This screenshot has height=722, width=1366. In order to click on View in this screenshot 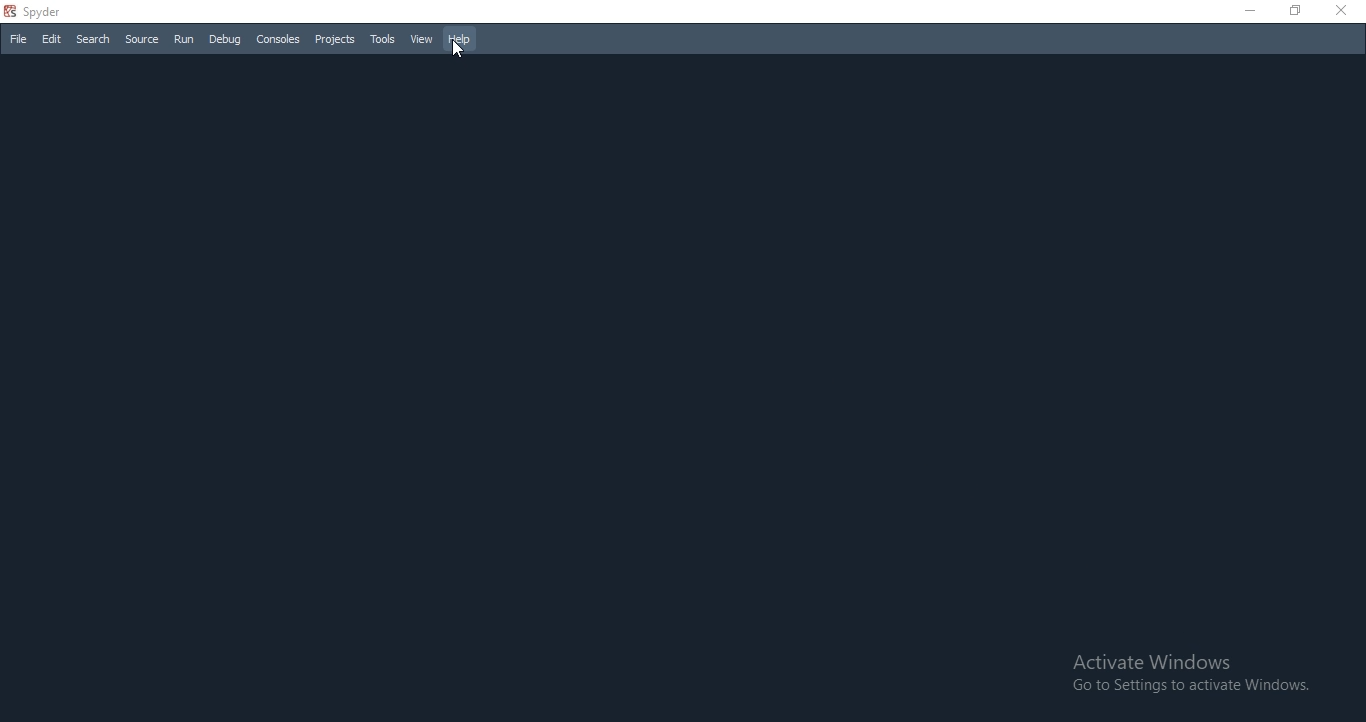, I will do `click(422, 41)`.